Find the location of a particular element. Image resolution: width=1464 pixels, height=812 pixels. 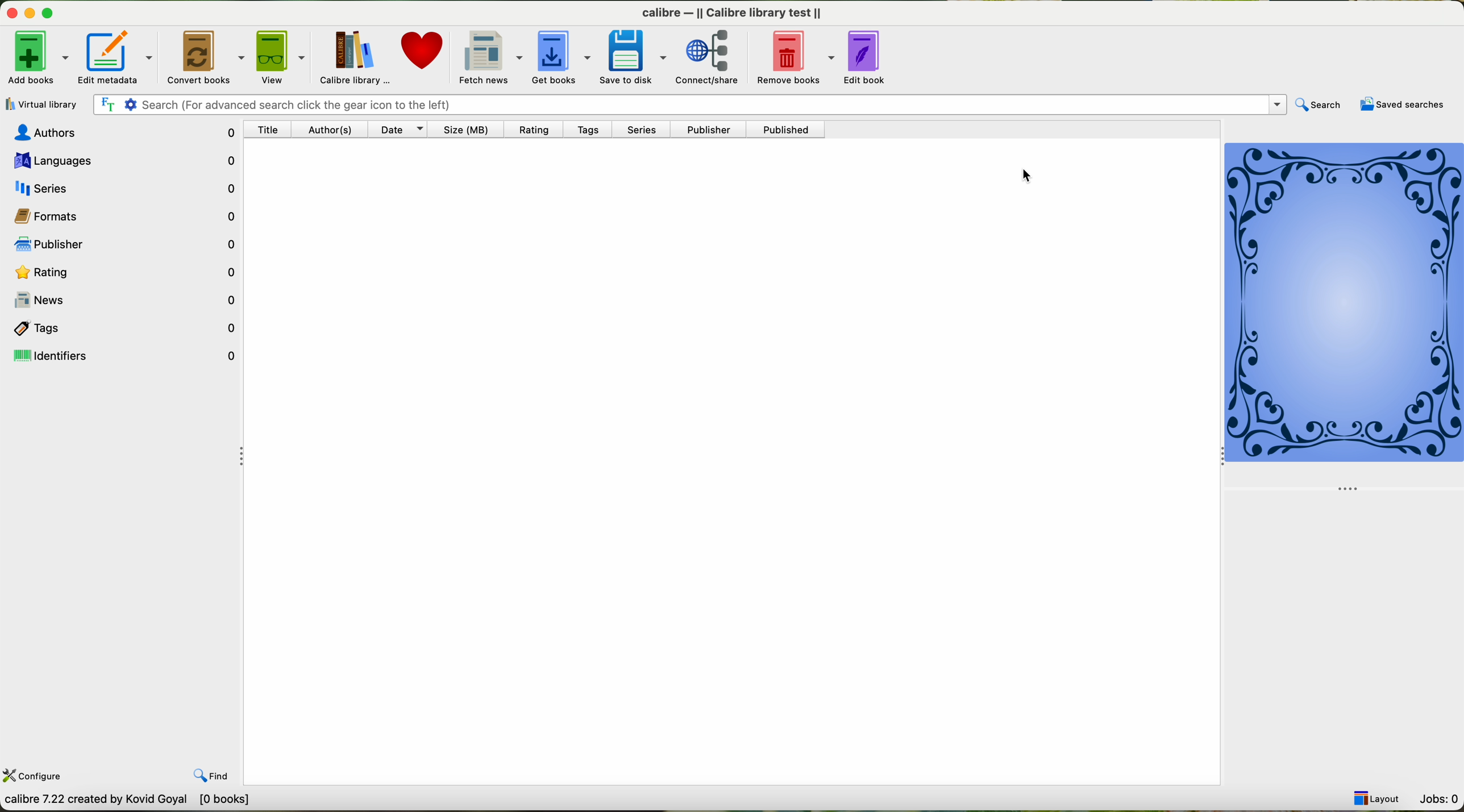

author is located at coordinates (333, 130).